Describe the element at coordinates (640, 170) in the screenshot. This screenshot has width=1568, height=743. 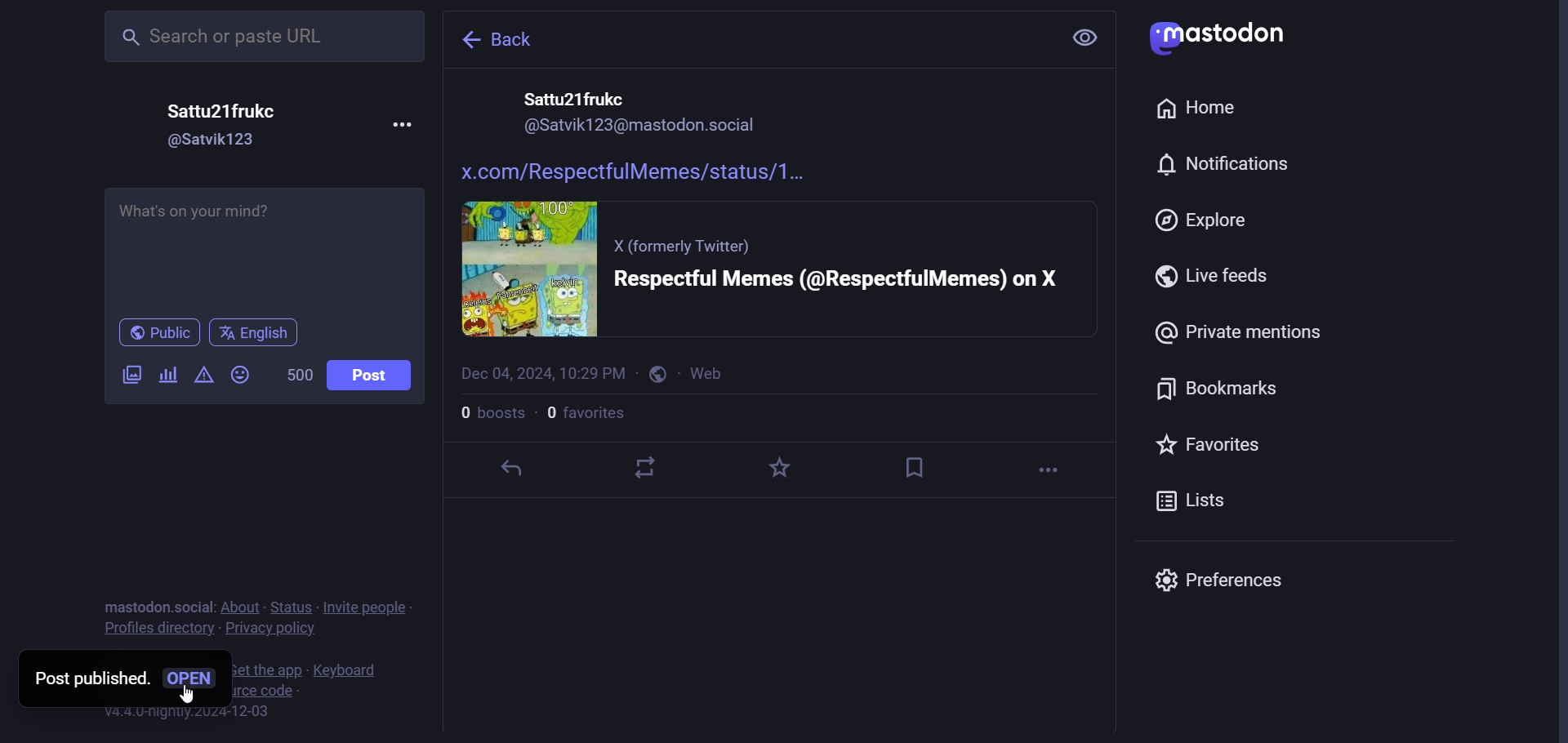
I see `link` at that location.